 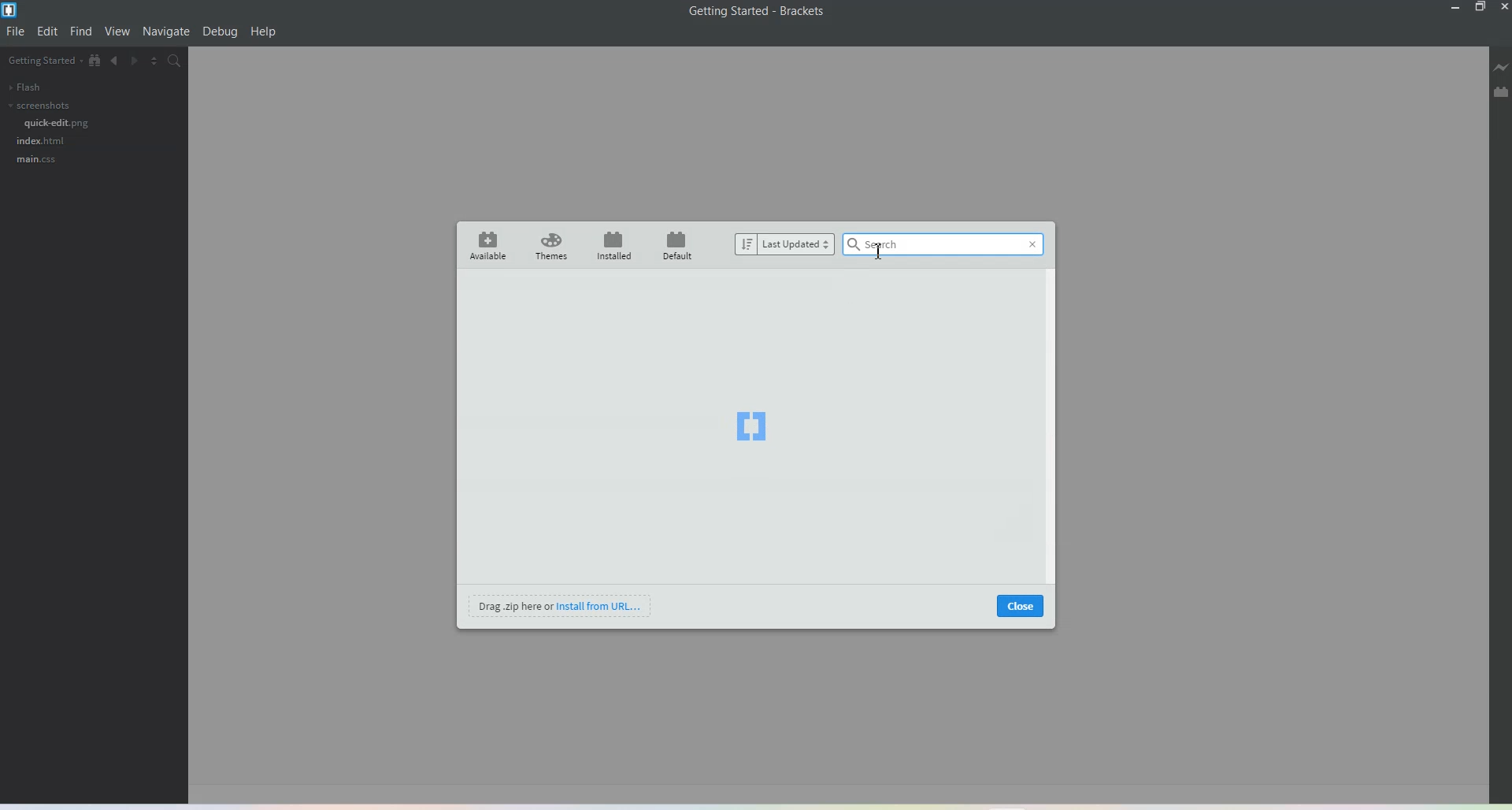 I want to click on Logo, so click(x=751, y=427).